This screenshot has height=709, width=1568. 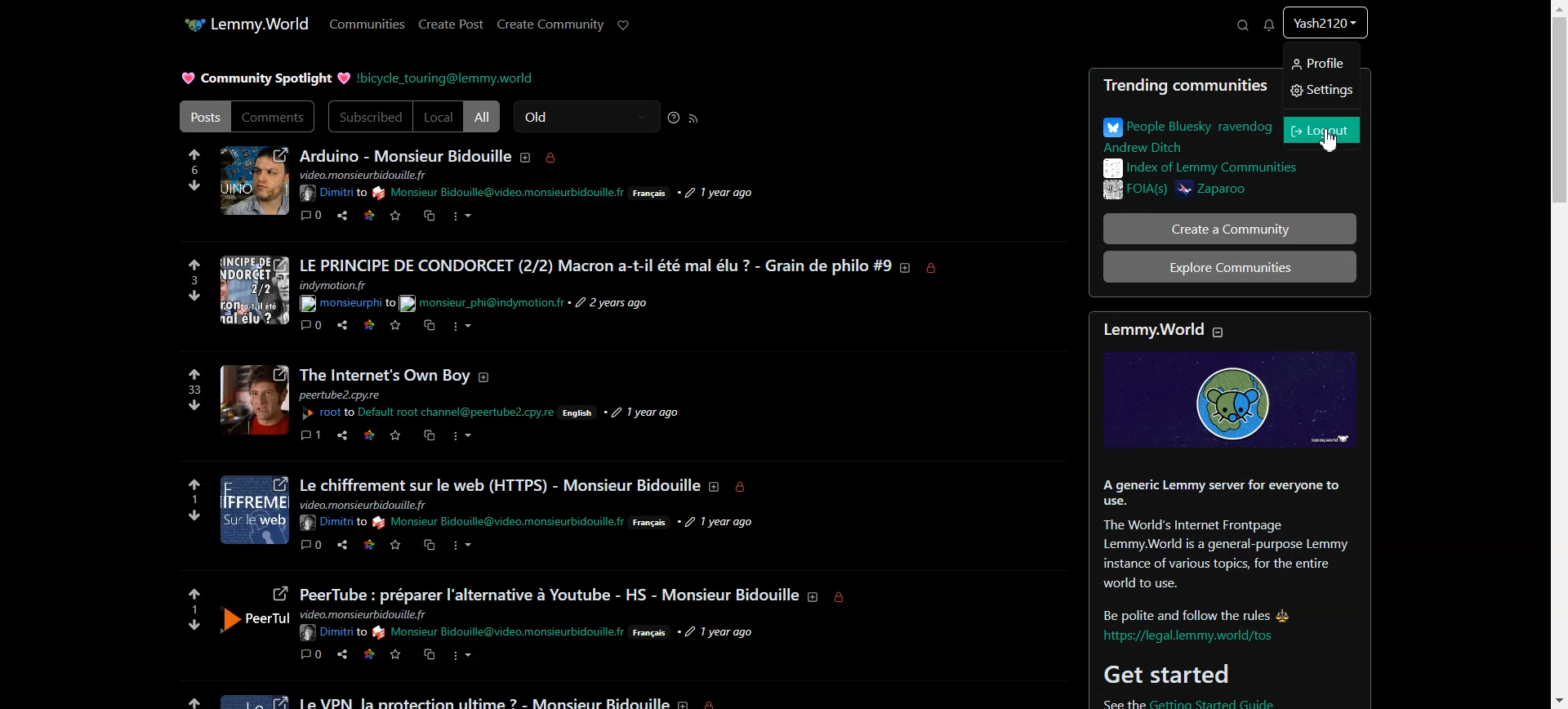 I want to click on , so click(x=331, y=522).